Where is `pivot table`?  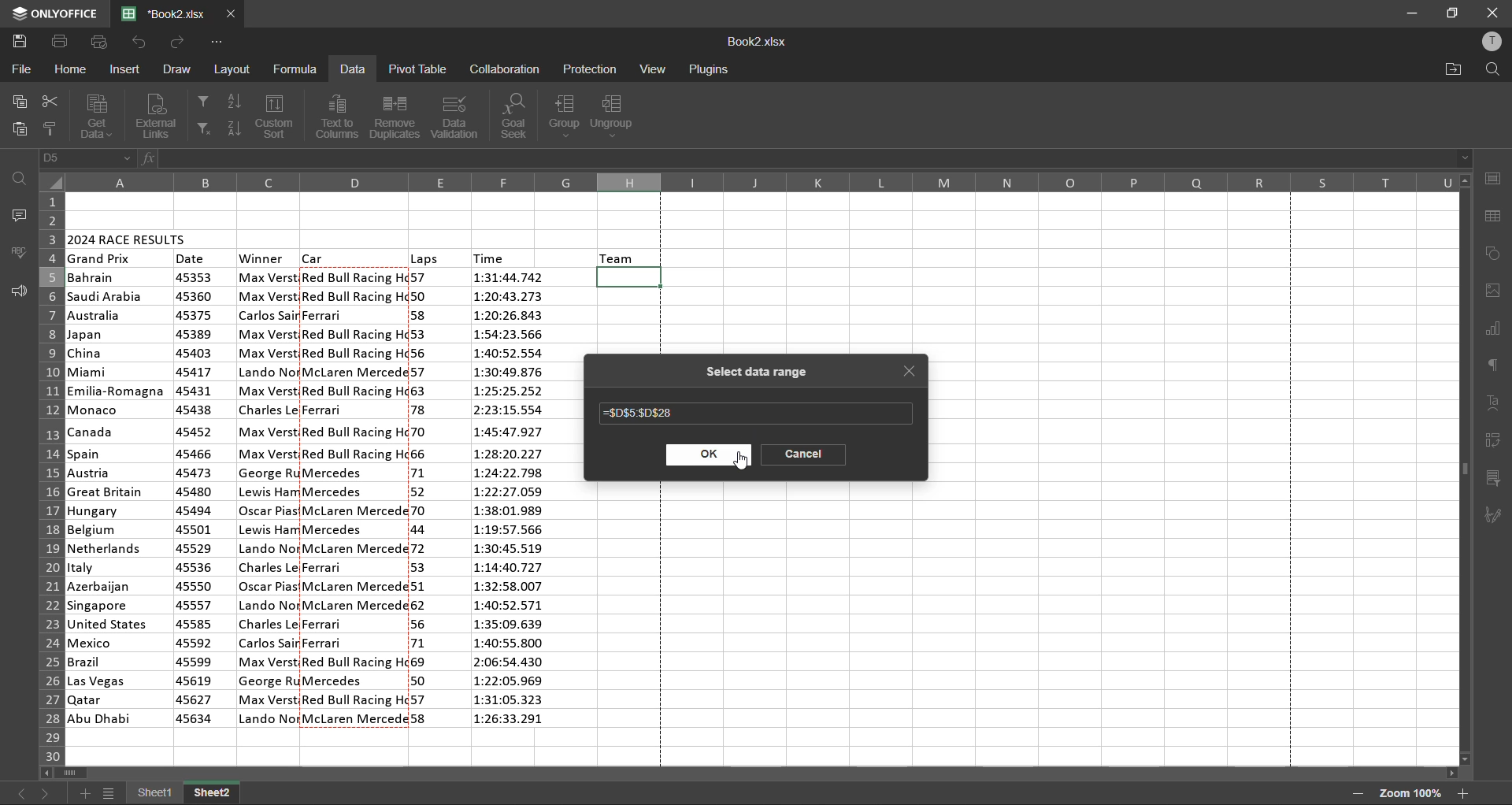
pivot table is located at coordinates (1494, 441).